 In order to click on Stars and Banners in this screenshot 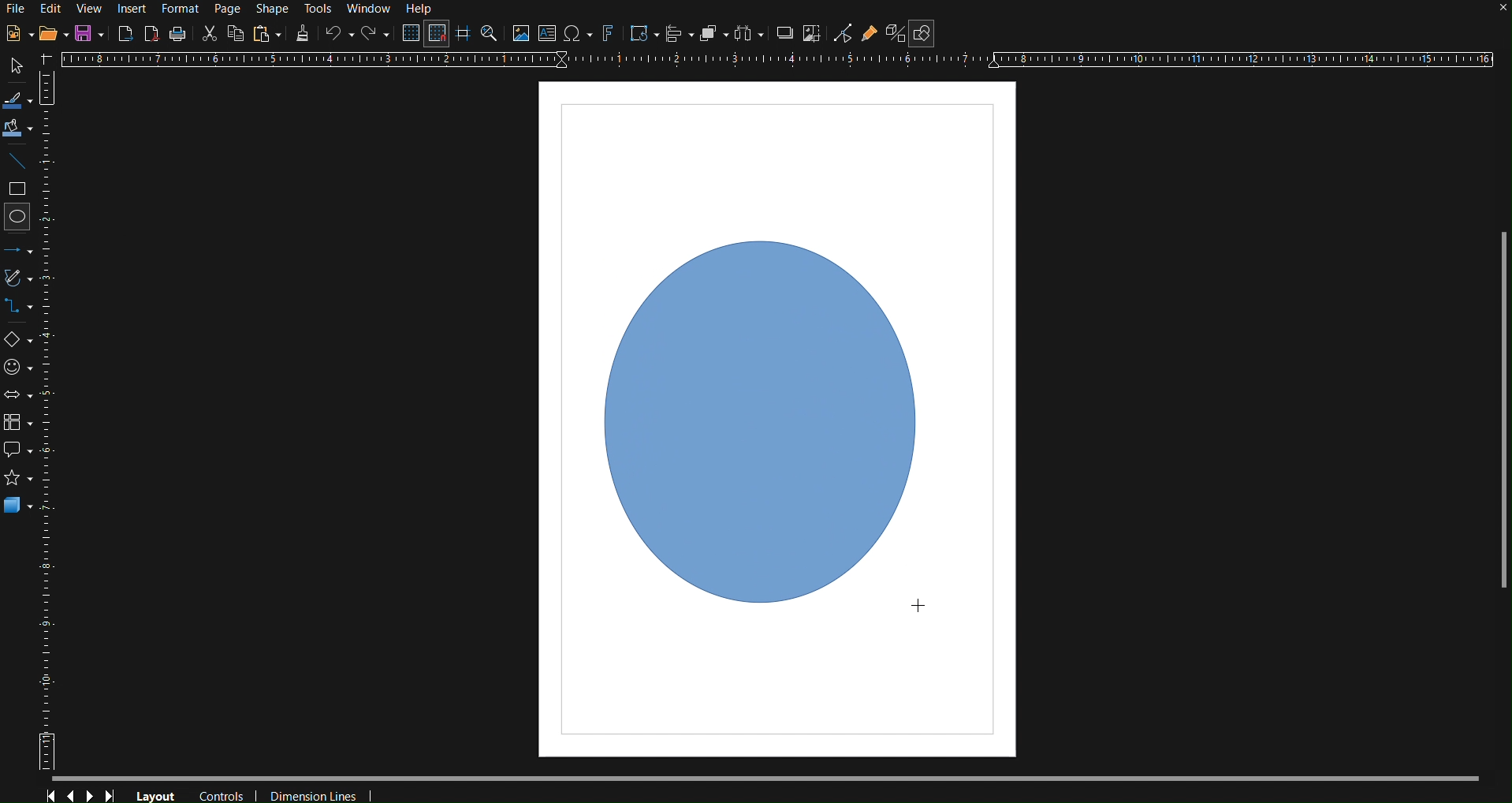, I will do `click(16, 480)`.